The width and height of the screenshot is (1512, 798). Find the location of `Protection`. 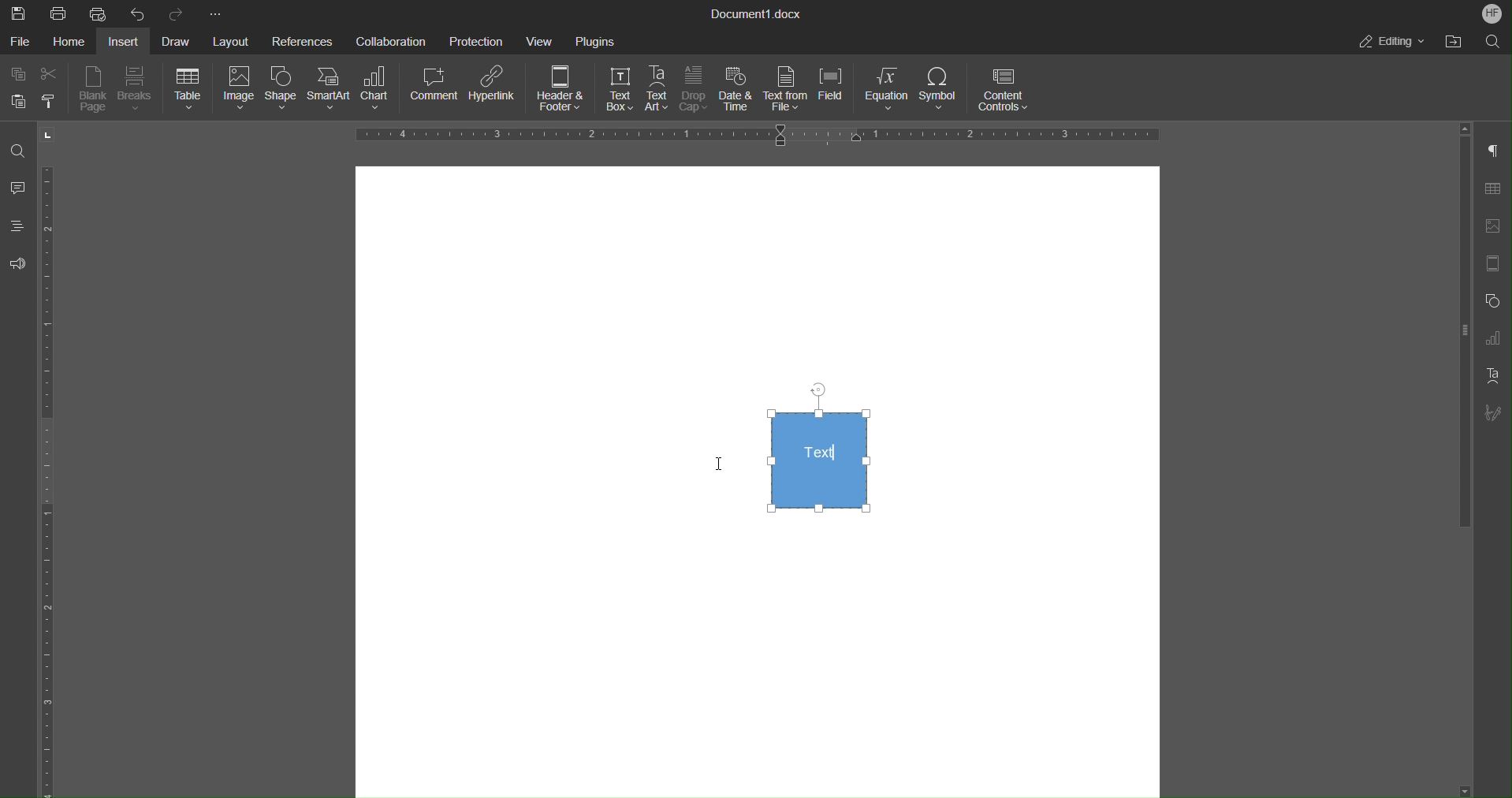

Protection is located at coordinates (478, 40).